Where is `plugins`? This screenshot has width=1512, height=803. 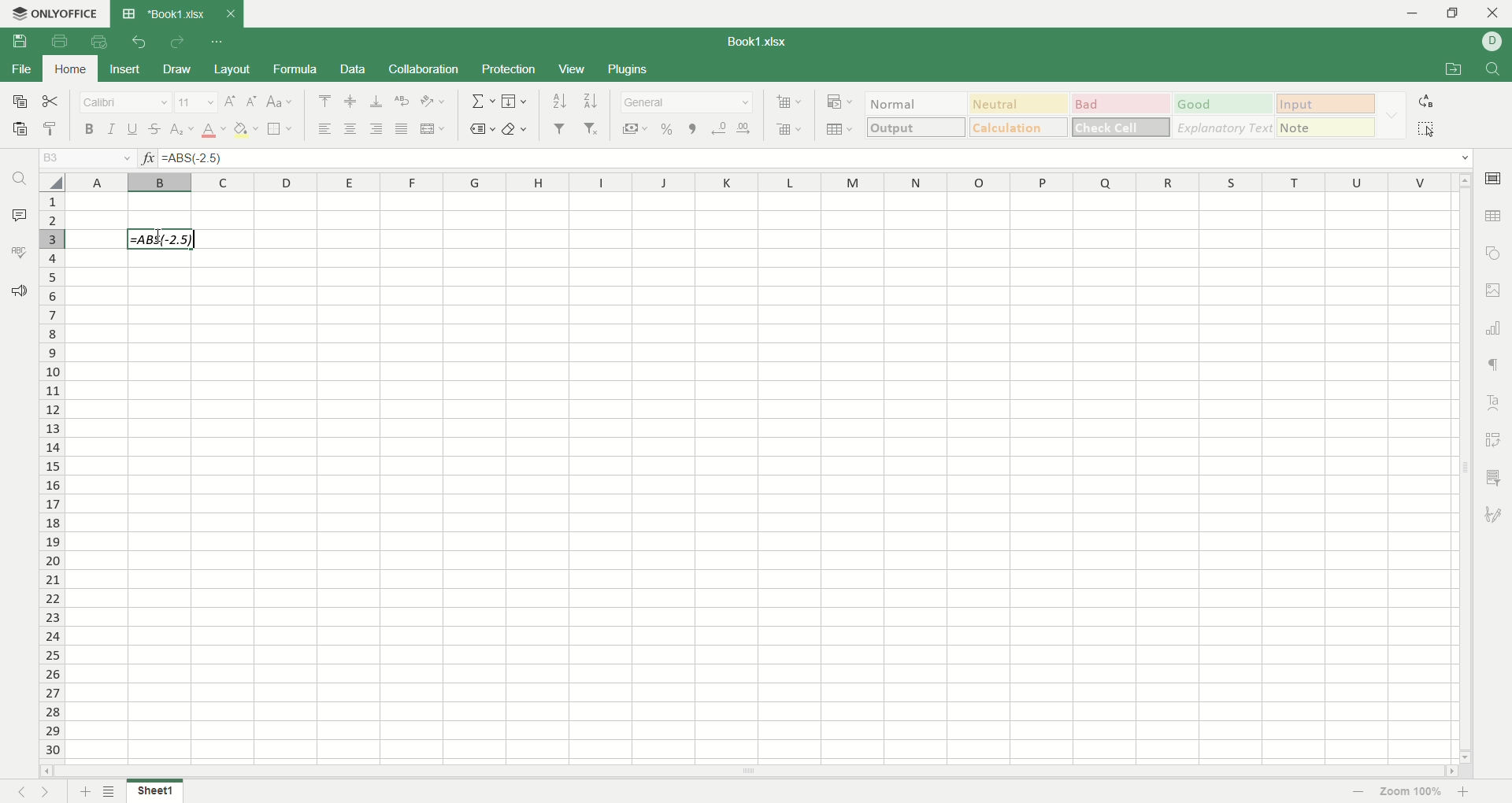 plugins is located at coordinates (628, 70).